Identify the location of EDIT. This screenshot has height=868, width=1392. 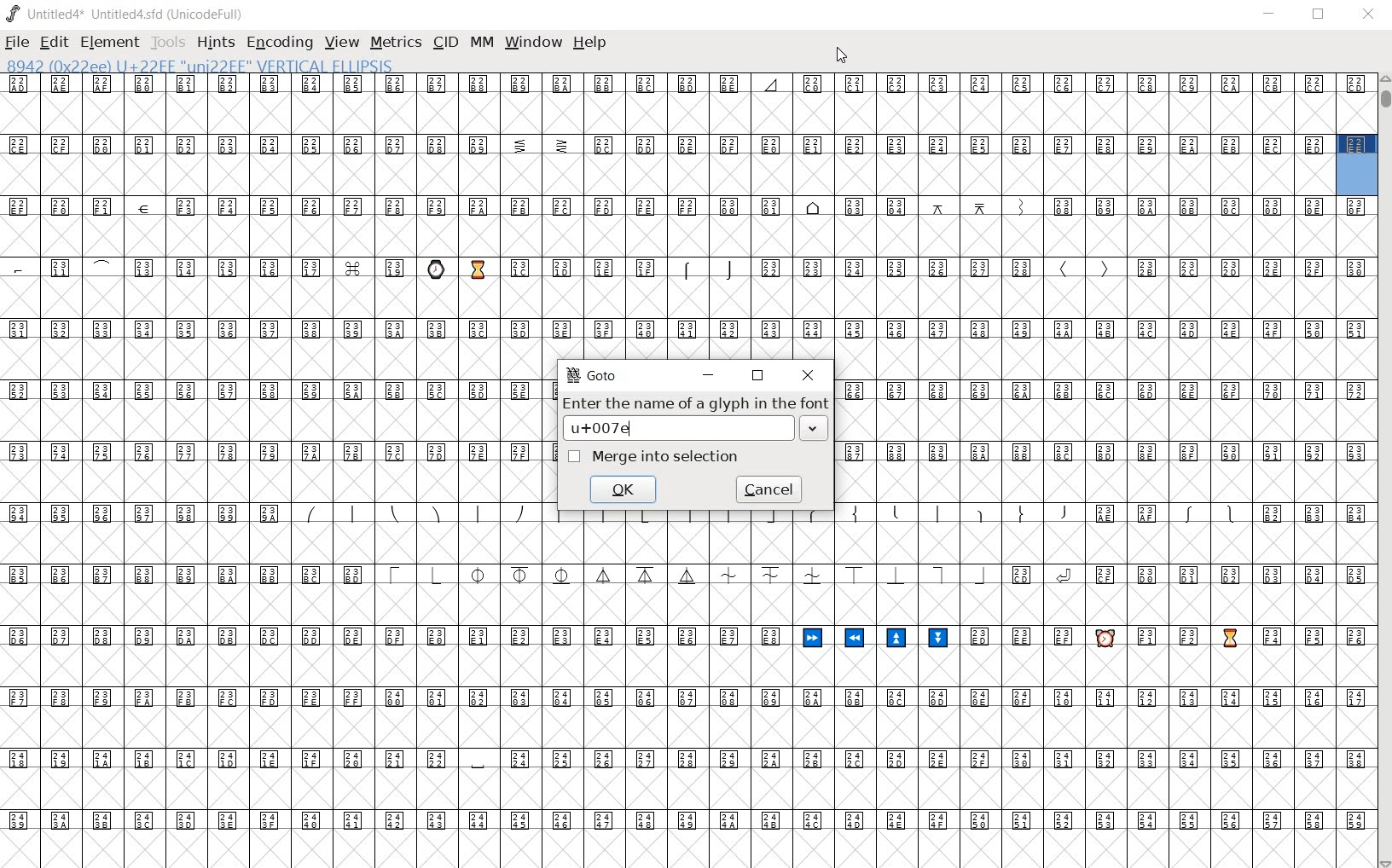
(52, 42).